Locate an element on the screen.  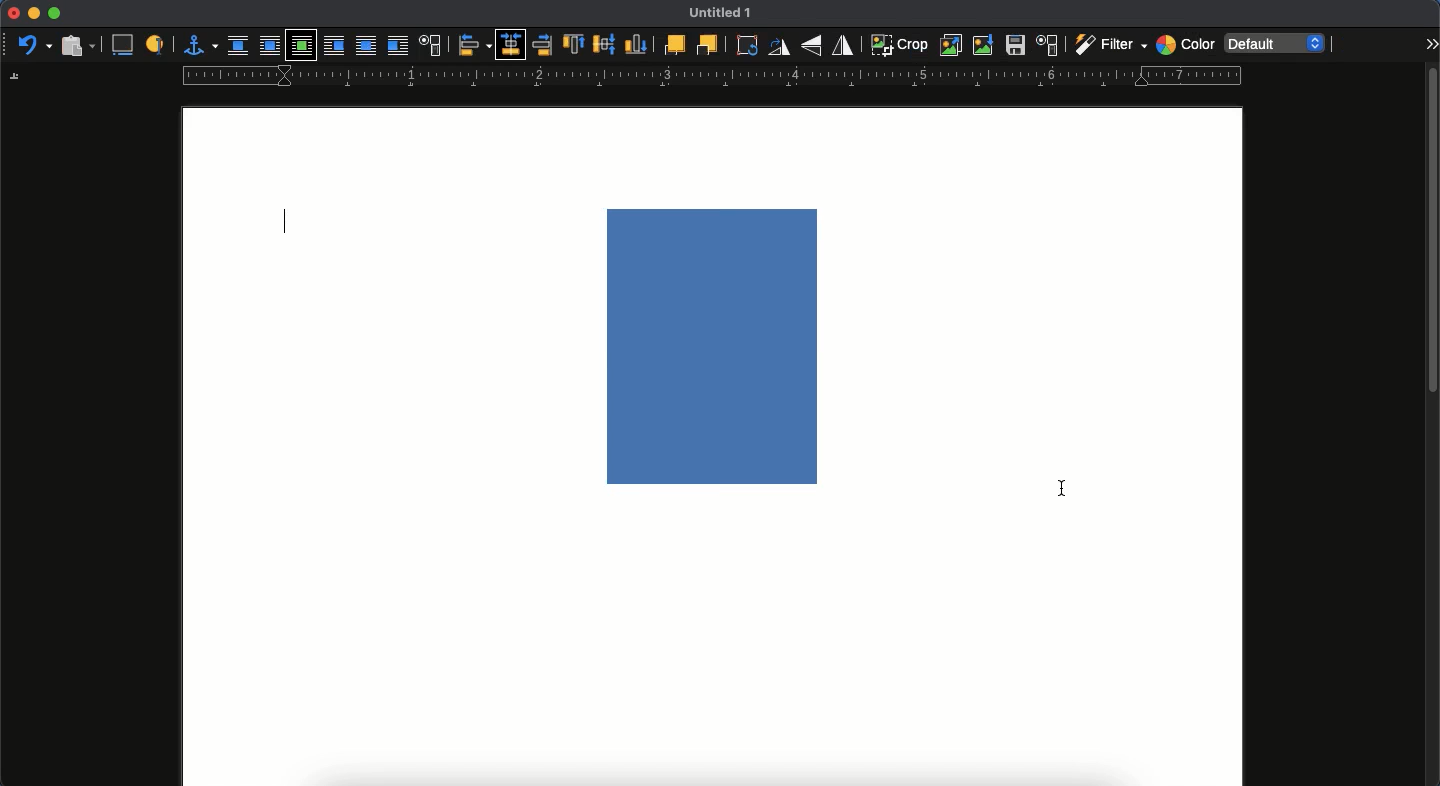
none is located at coordinates (238, 46).